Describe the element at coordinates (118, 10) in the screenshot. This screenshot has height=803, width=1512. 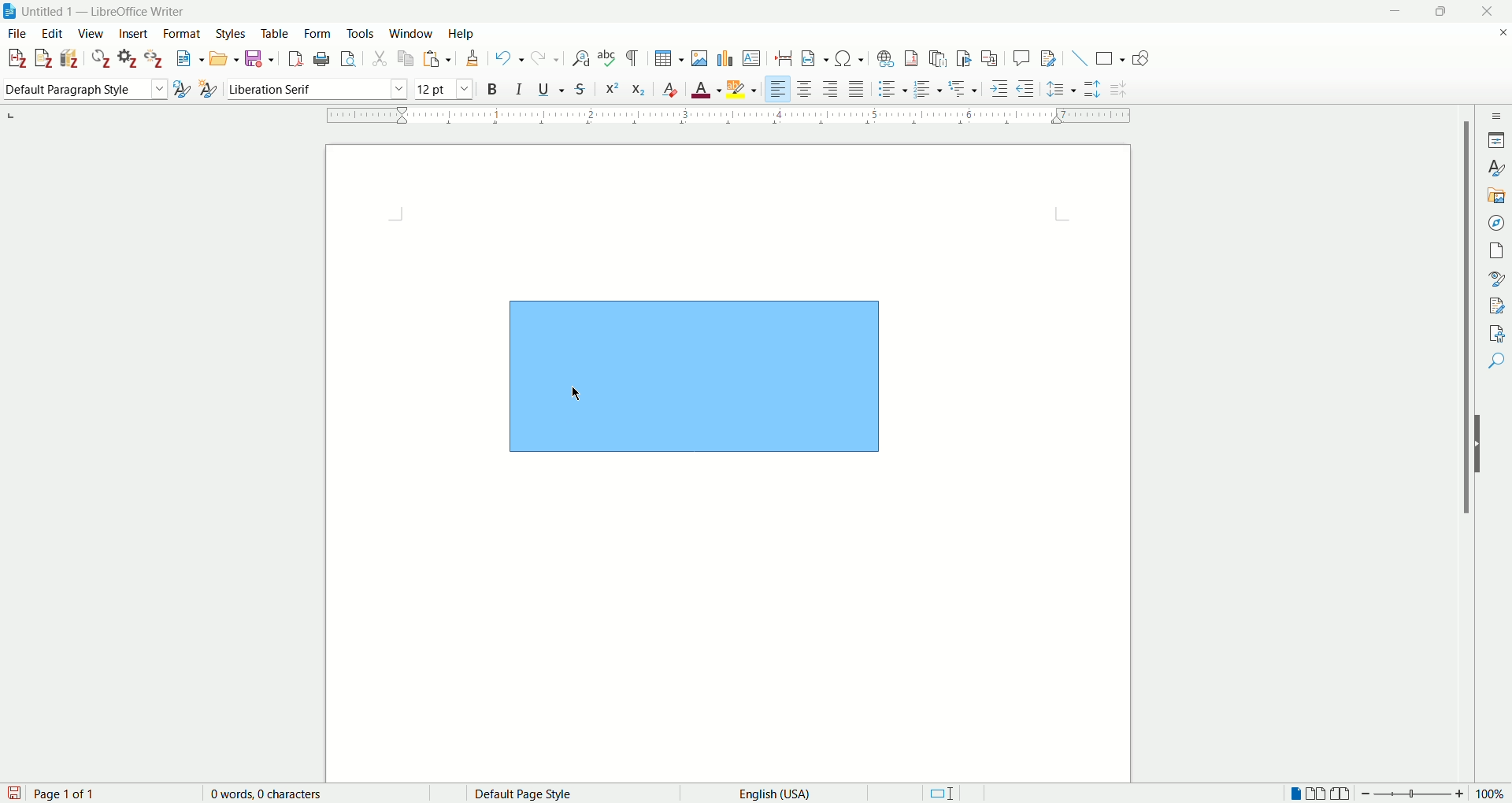
I see `Untitled 1 - LibreOffice Writer` at that location.